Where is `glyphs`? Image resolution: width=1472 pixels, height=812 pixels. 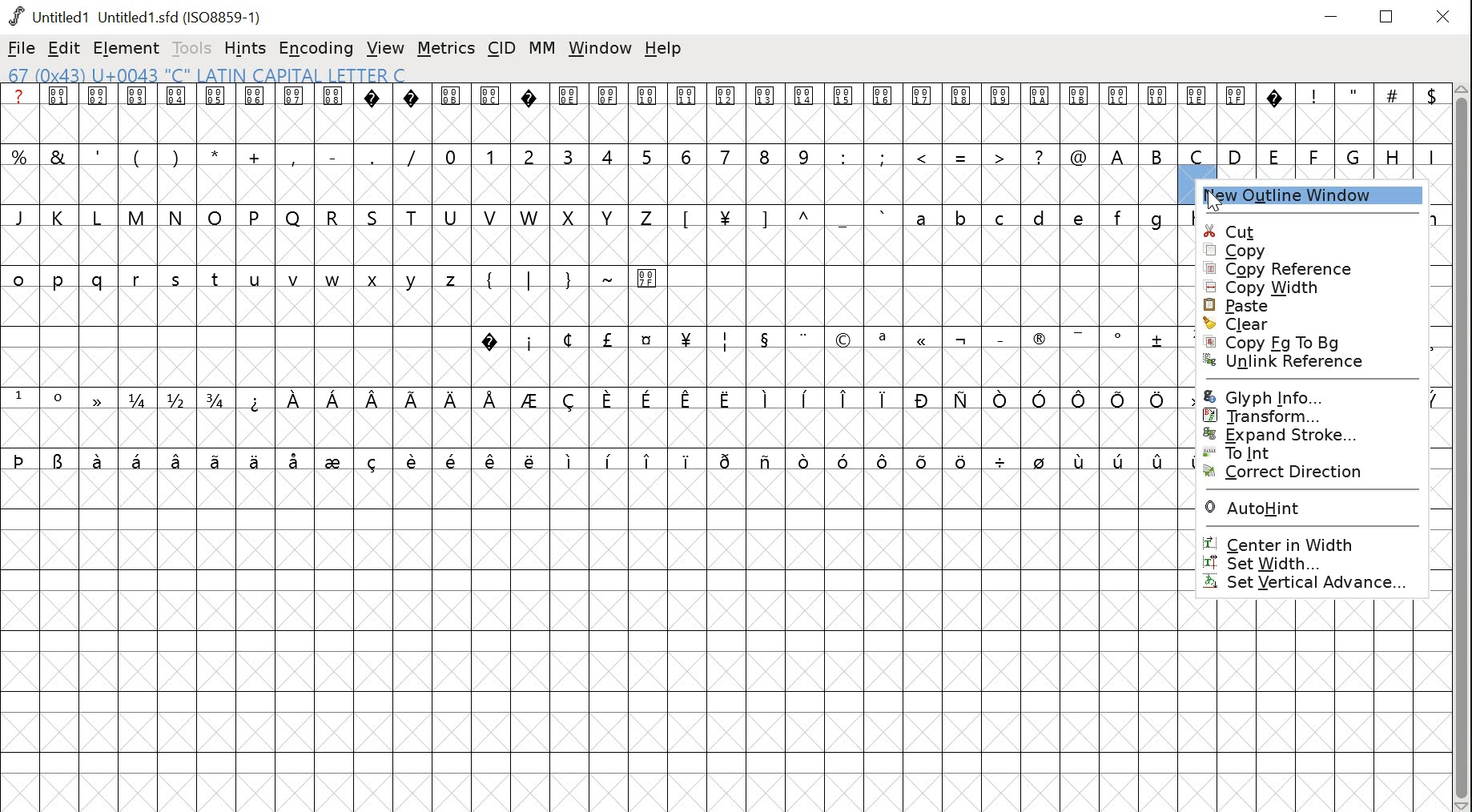
glyphs is located at coordinates (1312, 131).